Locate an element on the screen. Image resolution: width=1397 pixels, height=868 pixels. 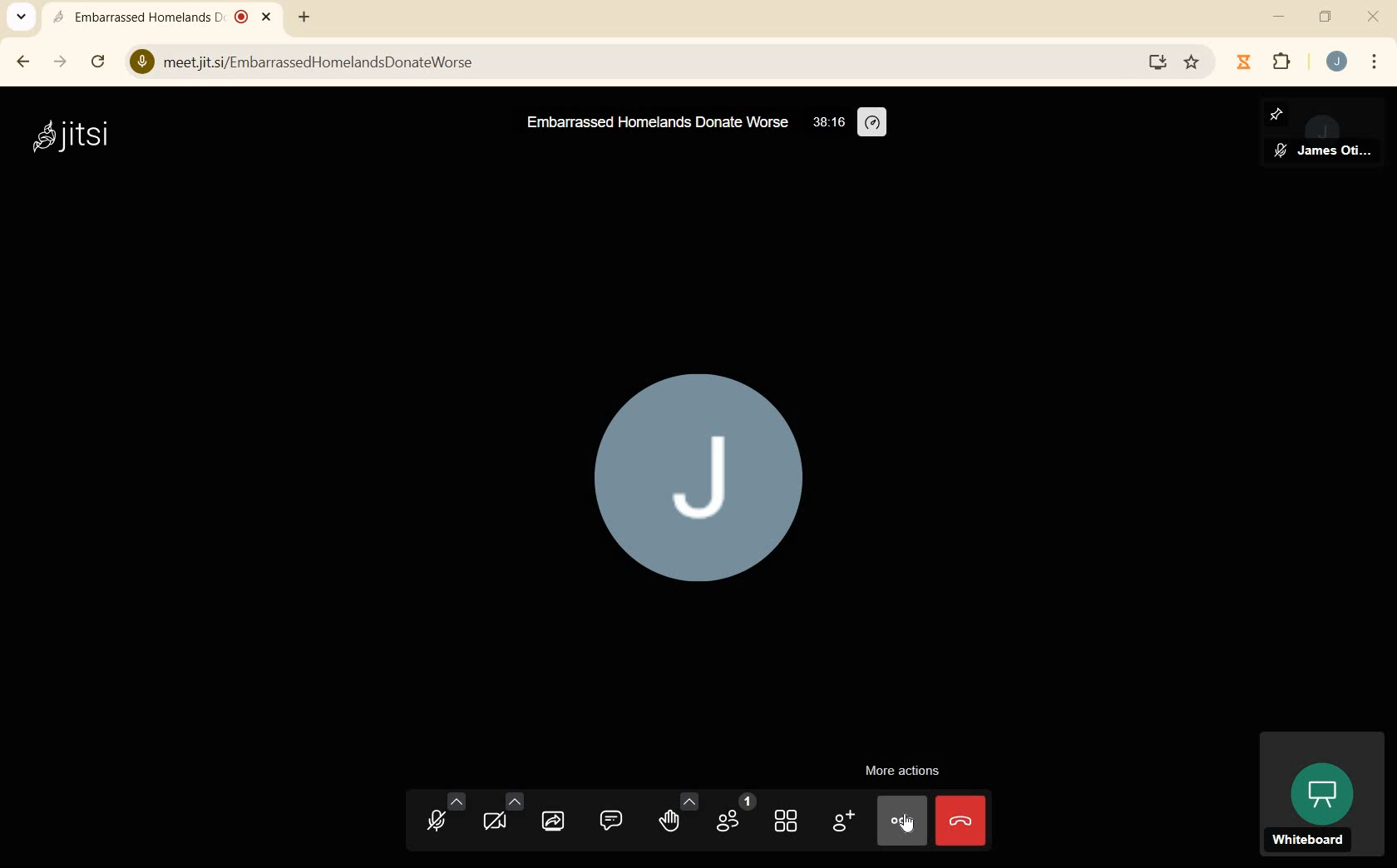
more actions is located at coordinates (904, 772).